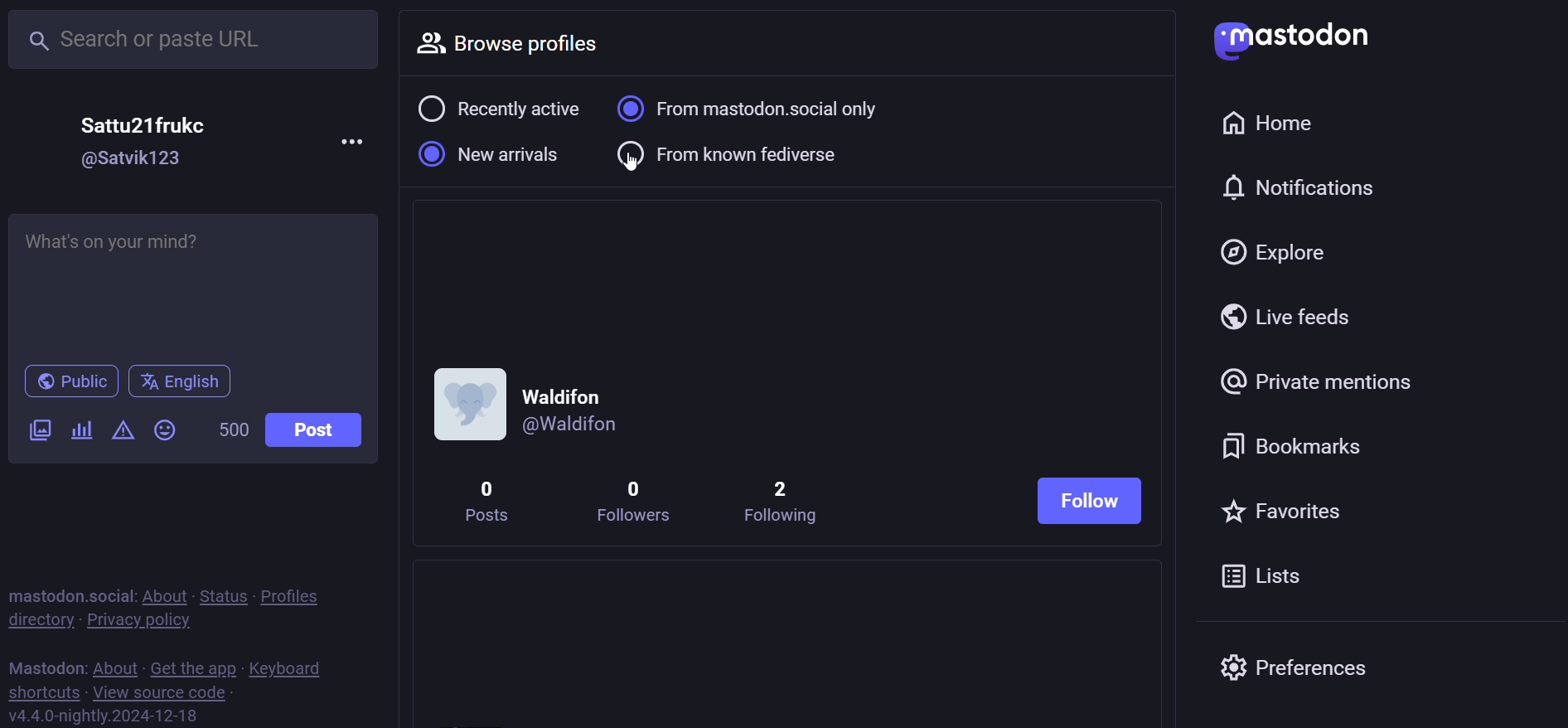  Describe the element at coordinates (38, 693) in the screenshot. I see `shortcut` at that location.